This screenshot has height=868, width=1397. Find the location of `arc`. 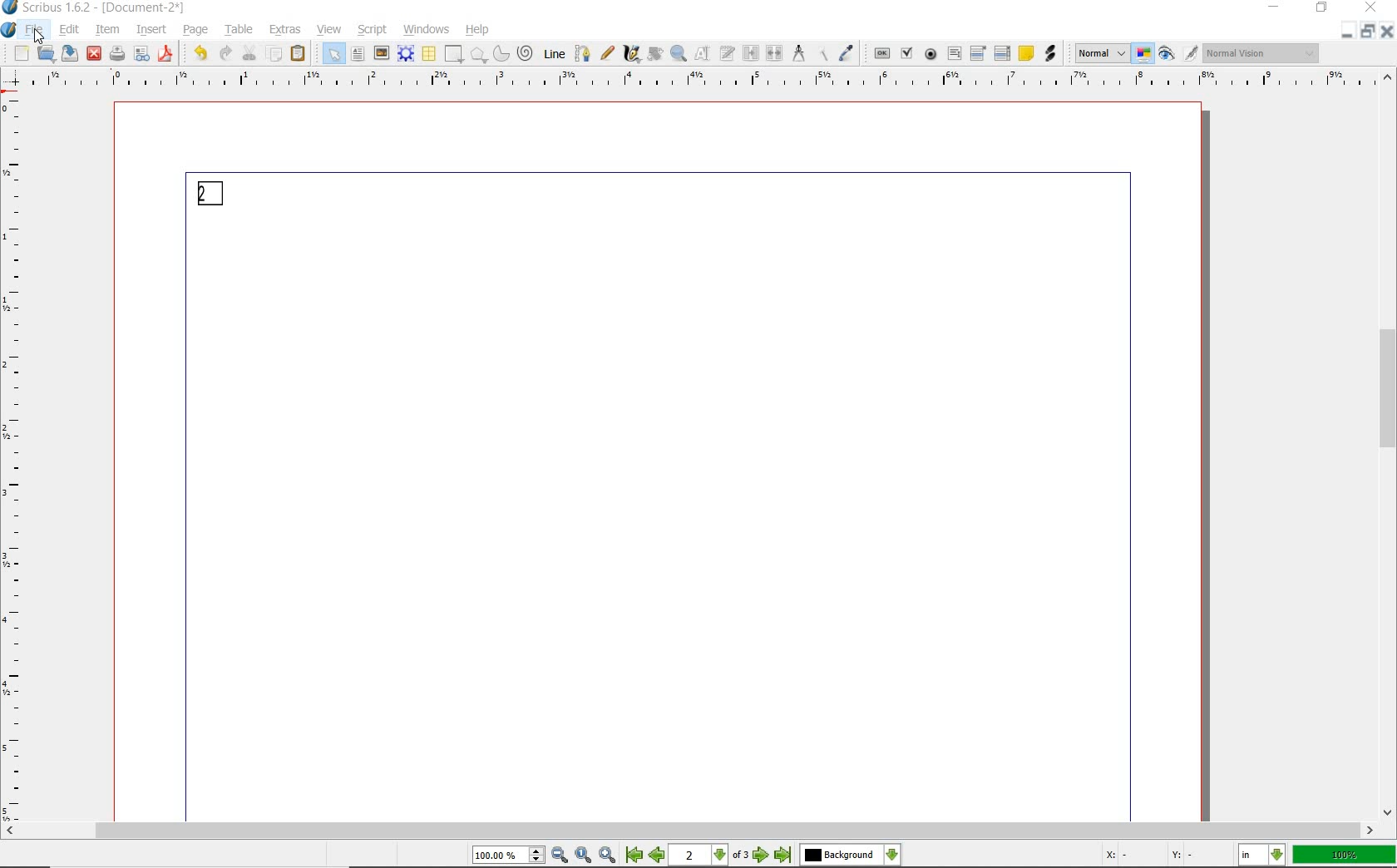

arc is located at coordinates (501, 55).